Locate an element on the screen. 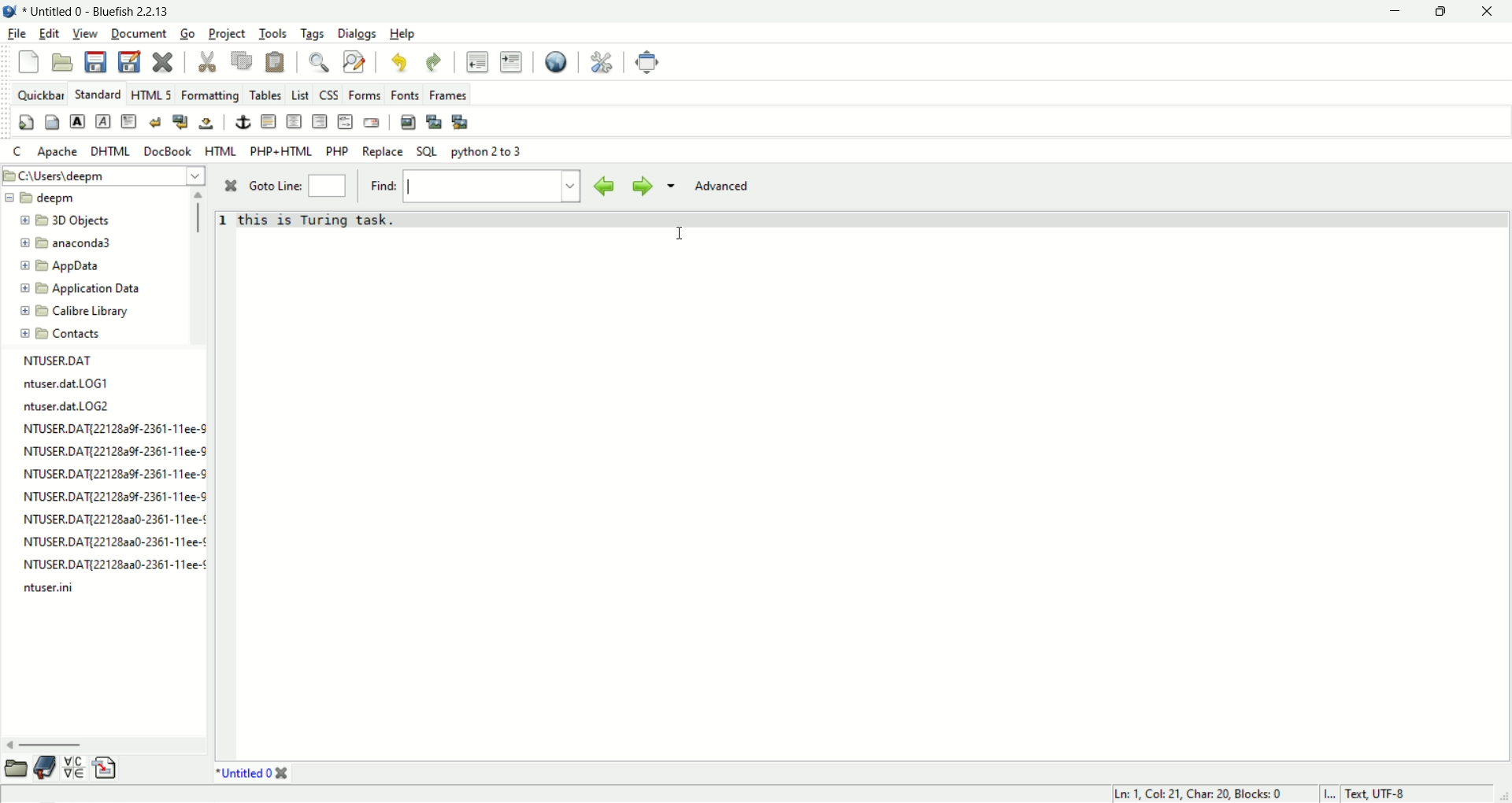 This screenshot has height=803, width=1512. pragraph is located at coordinates (129, 121).